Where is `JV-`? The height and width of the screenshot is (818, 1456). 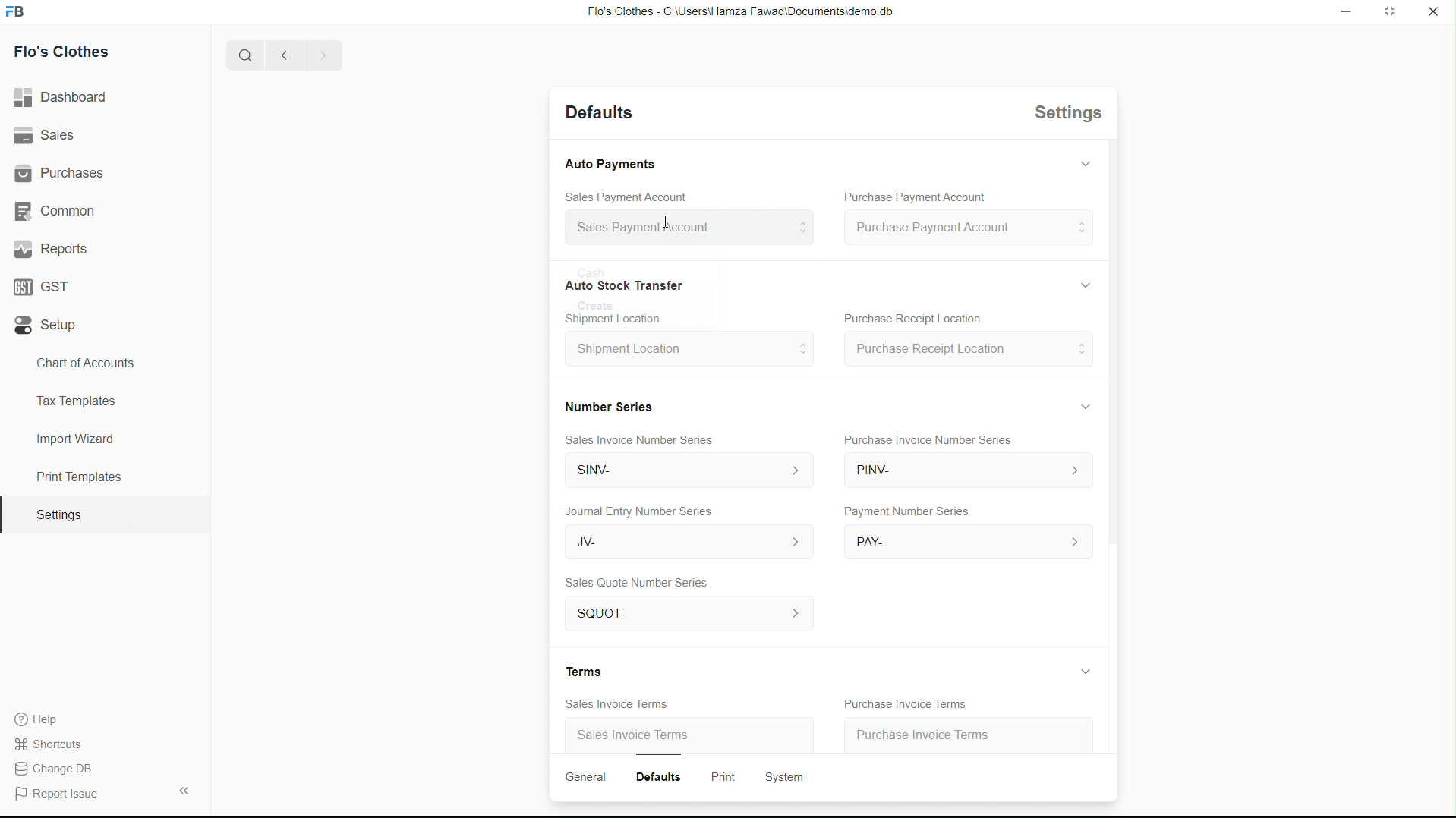 JV- is located at coordinates (681, 541).